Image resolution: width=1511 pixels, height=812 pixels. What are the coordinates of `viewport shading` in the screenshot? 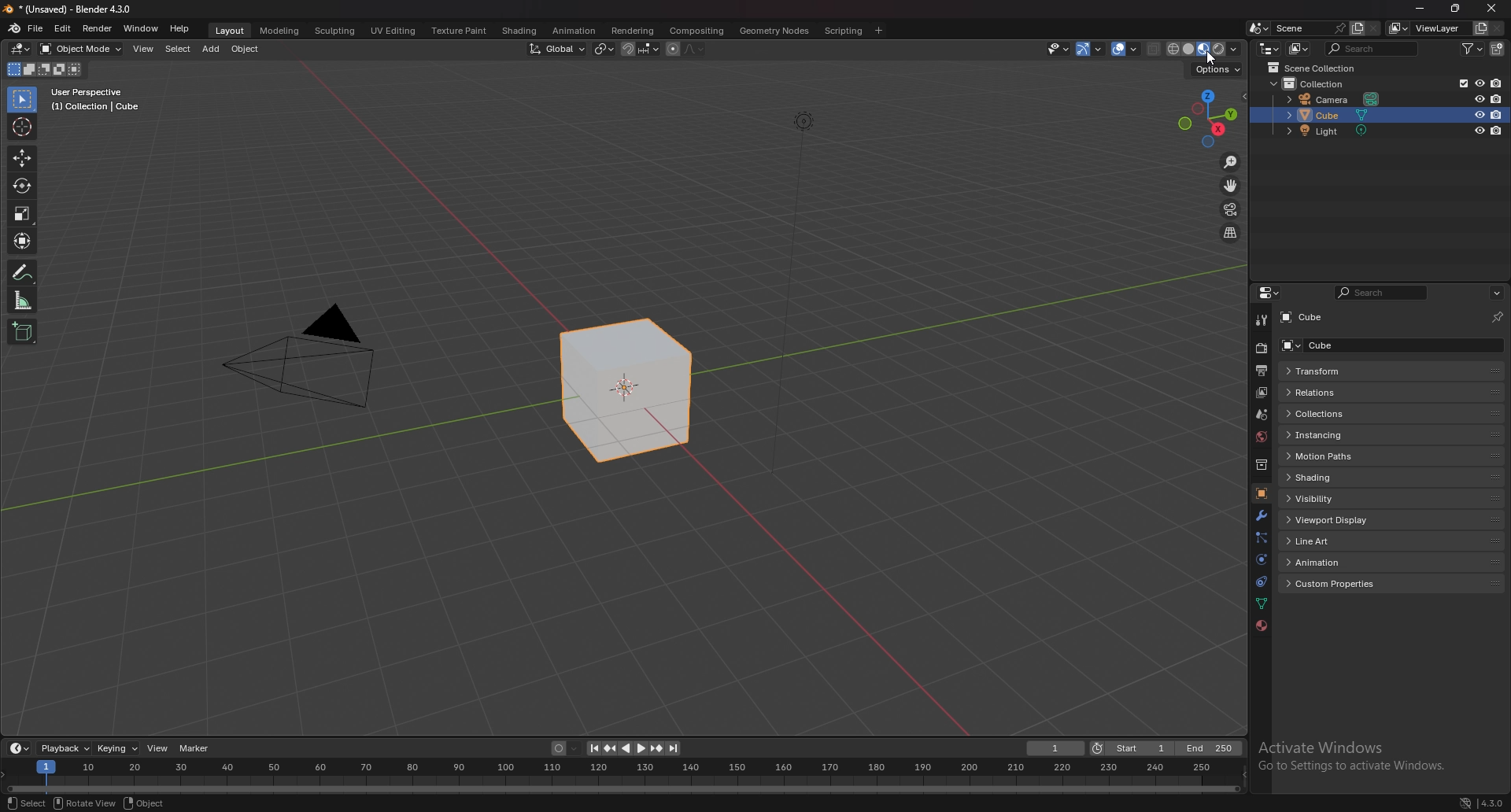 It's located at (1203, 50).